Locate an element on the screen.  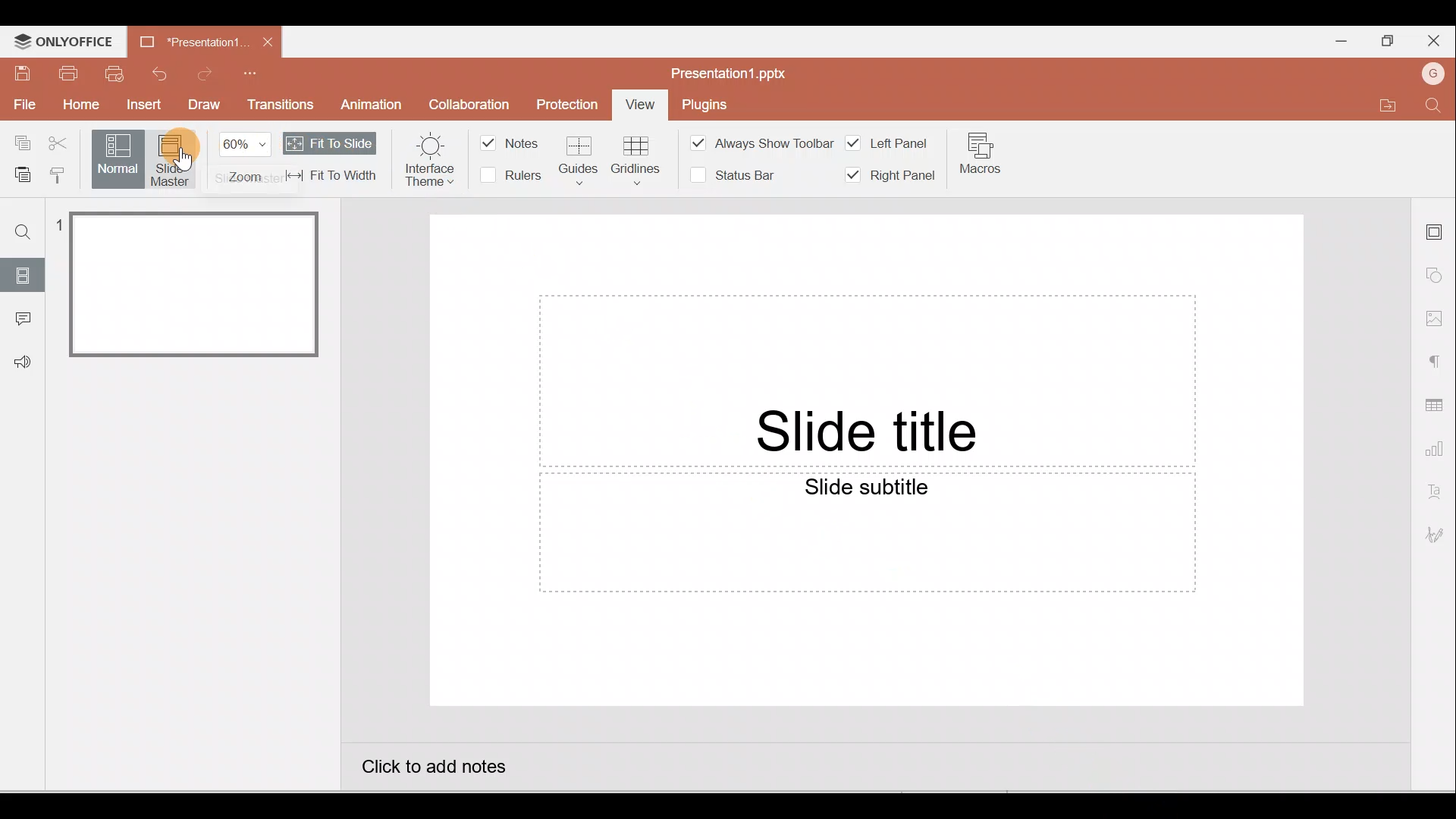
Home is located at coordinates (80, 107).